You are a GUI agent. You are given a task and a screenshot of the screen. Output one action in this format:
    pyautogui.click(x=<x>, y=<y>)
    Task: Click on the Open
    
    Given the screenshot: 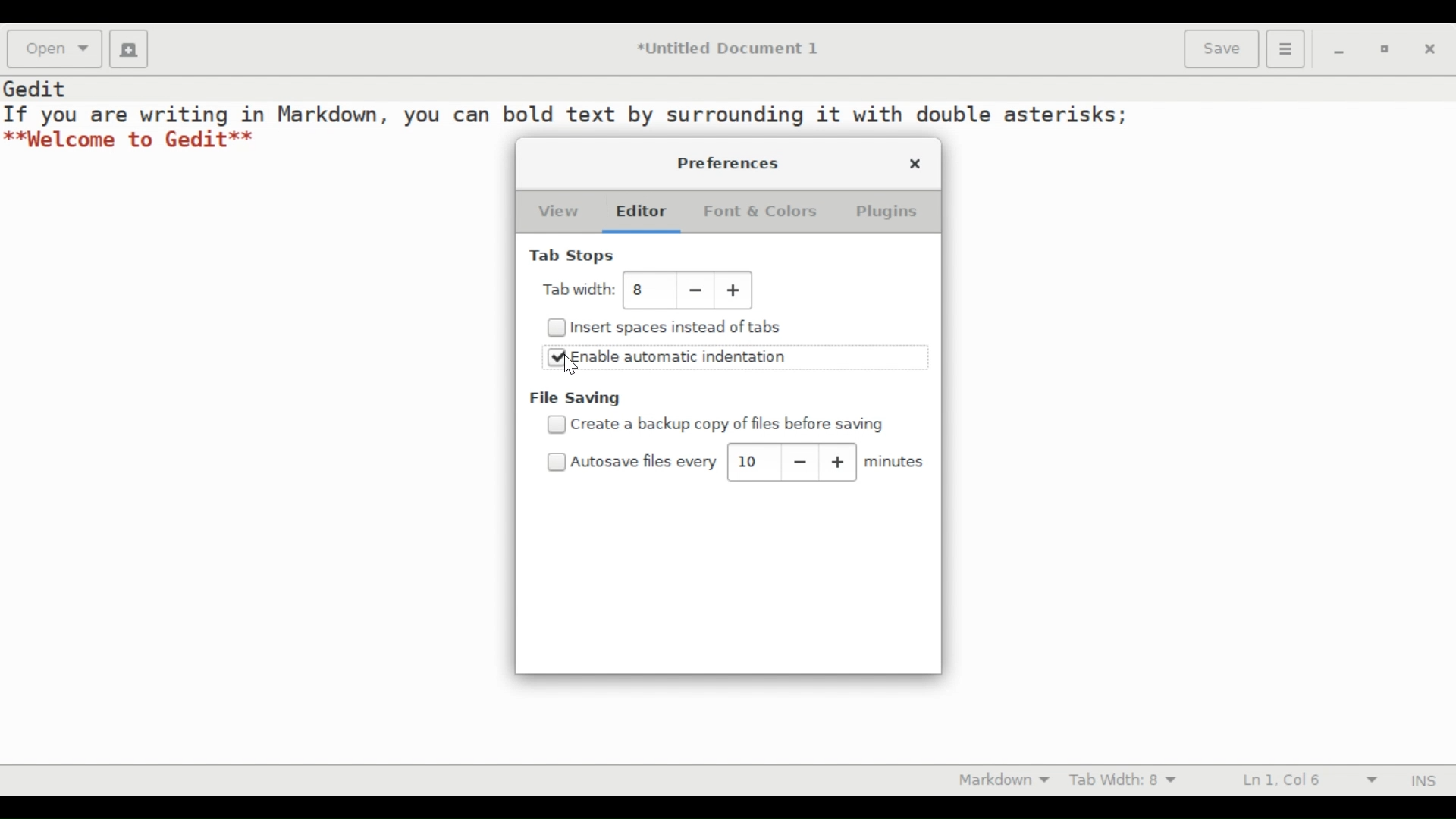 What is the action you would take?
    pyautogui.click(x=52, y=50)
    